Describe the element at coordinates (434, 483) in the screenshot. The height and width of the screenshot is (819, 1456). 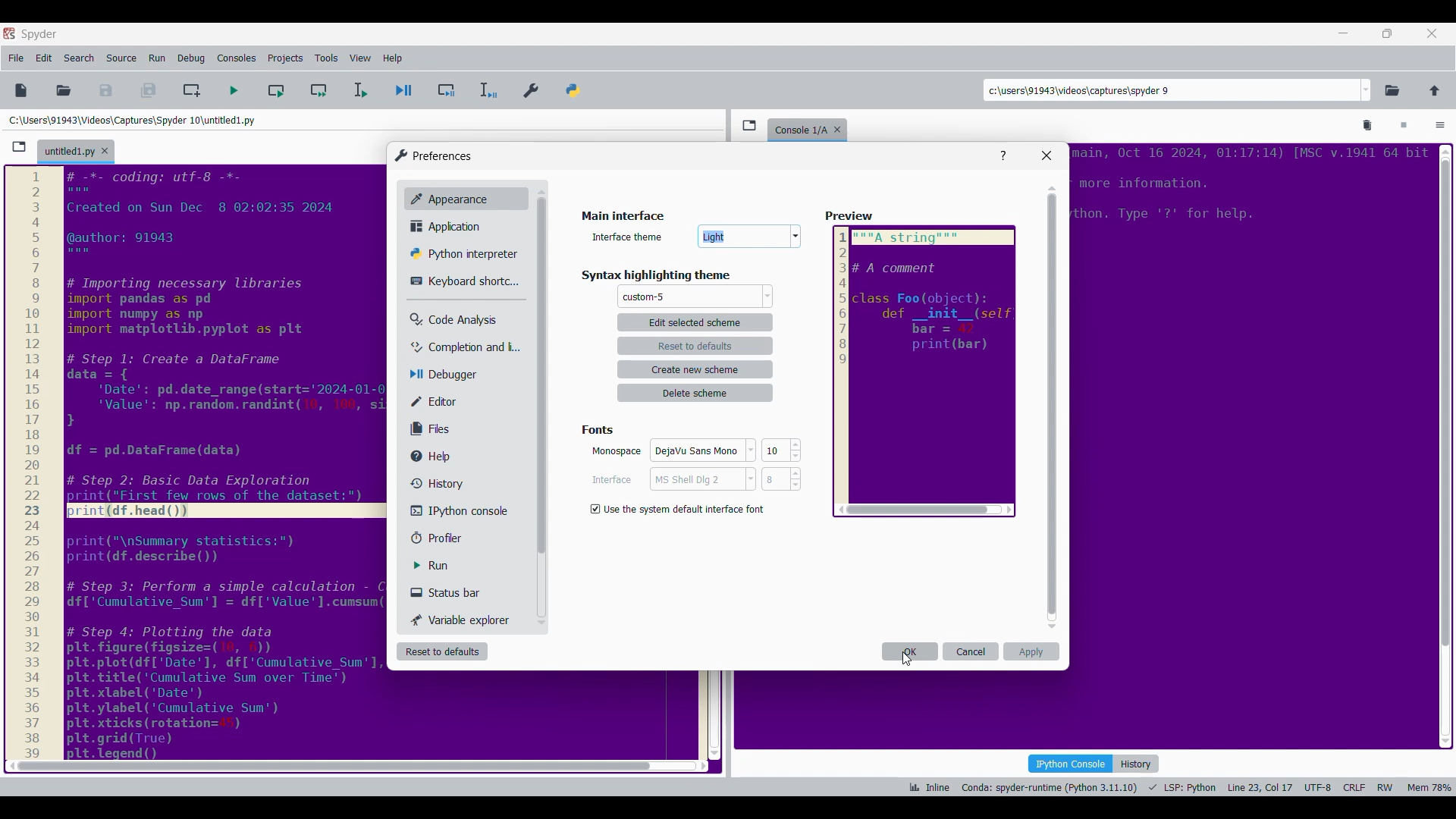
I see `History` at that location.